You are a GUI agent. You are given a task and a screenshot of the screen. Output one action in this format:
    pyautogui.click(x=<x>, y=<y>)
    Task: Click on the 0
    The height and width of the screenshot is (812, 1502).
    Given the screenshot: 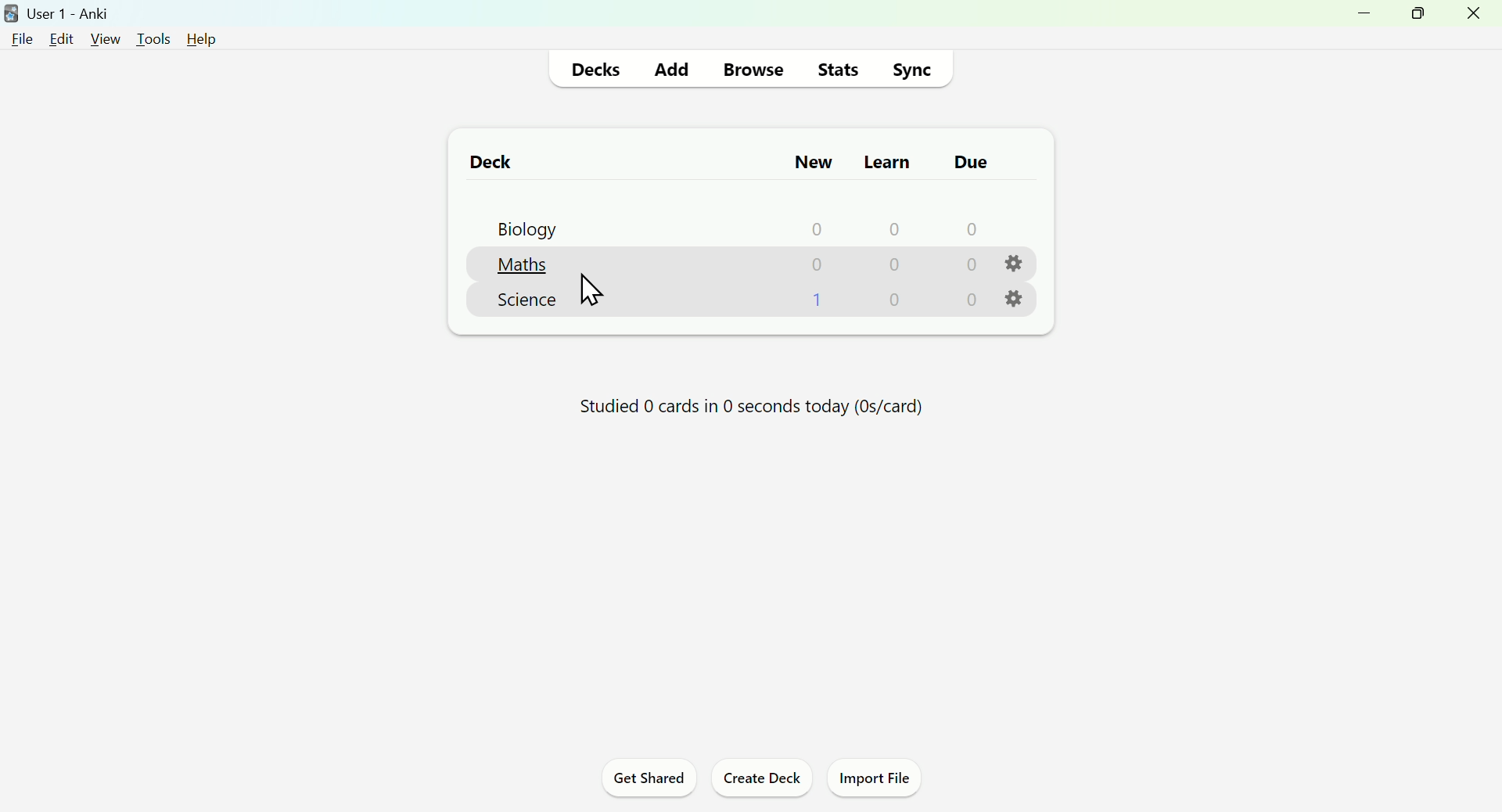 What is the action you would take?
    pyautogui.click(x=968, y=266)
    